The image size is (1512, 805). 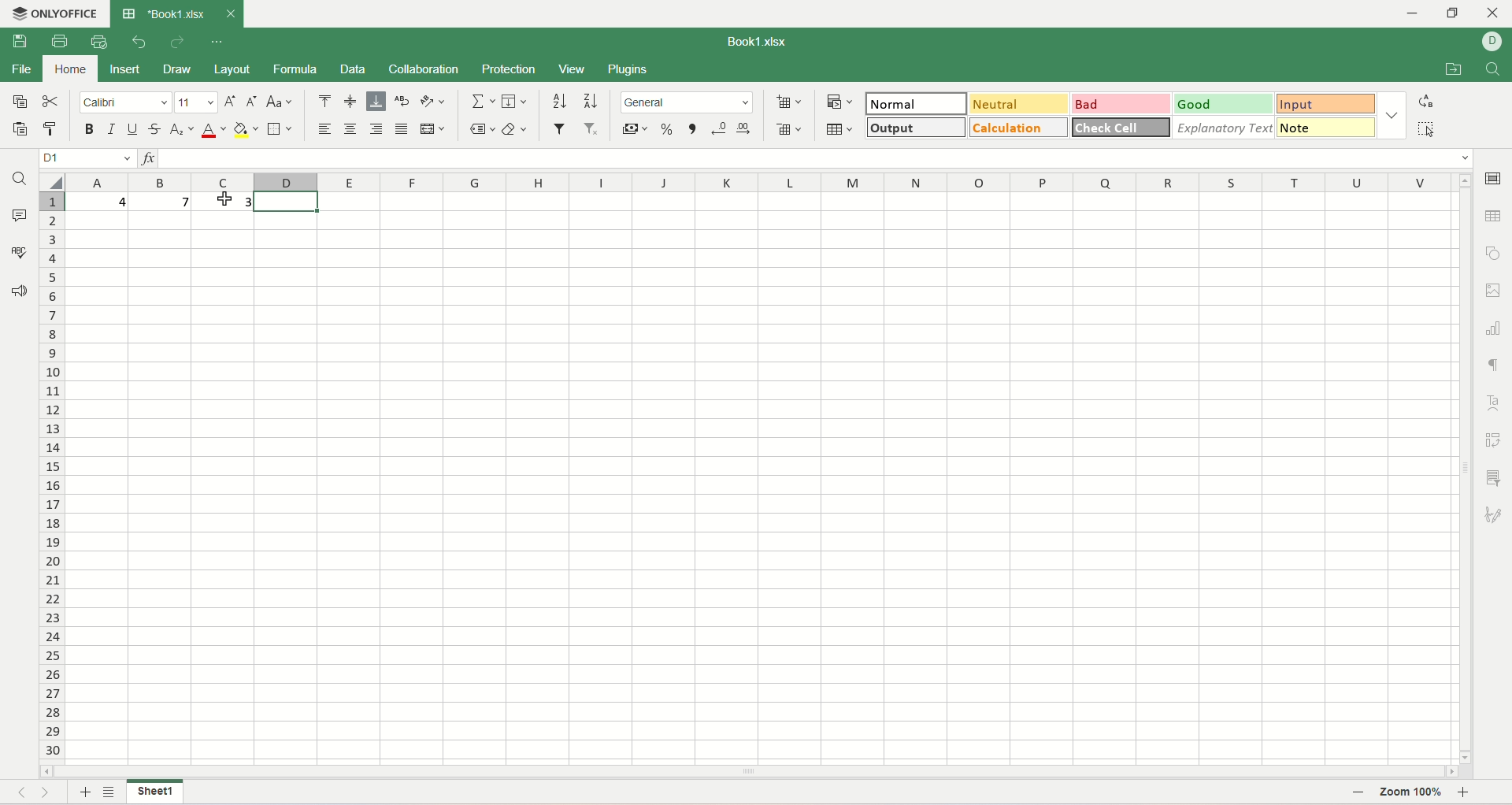 What do you see at coordinates (425, 69) in the screenshot?
I see `collaboration` at bounding box center [425, 69].